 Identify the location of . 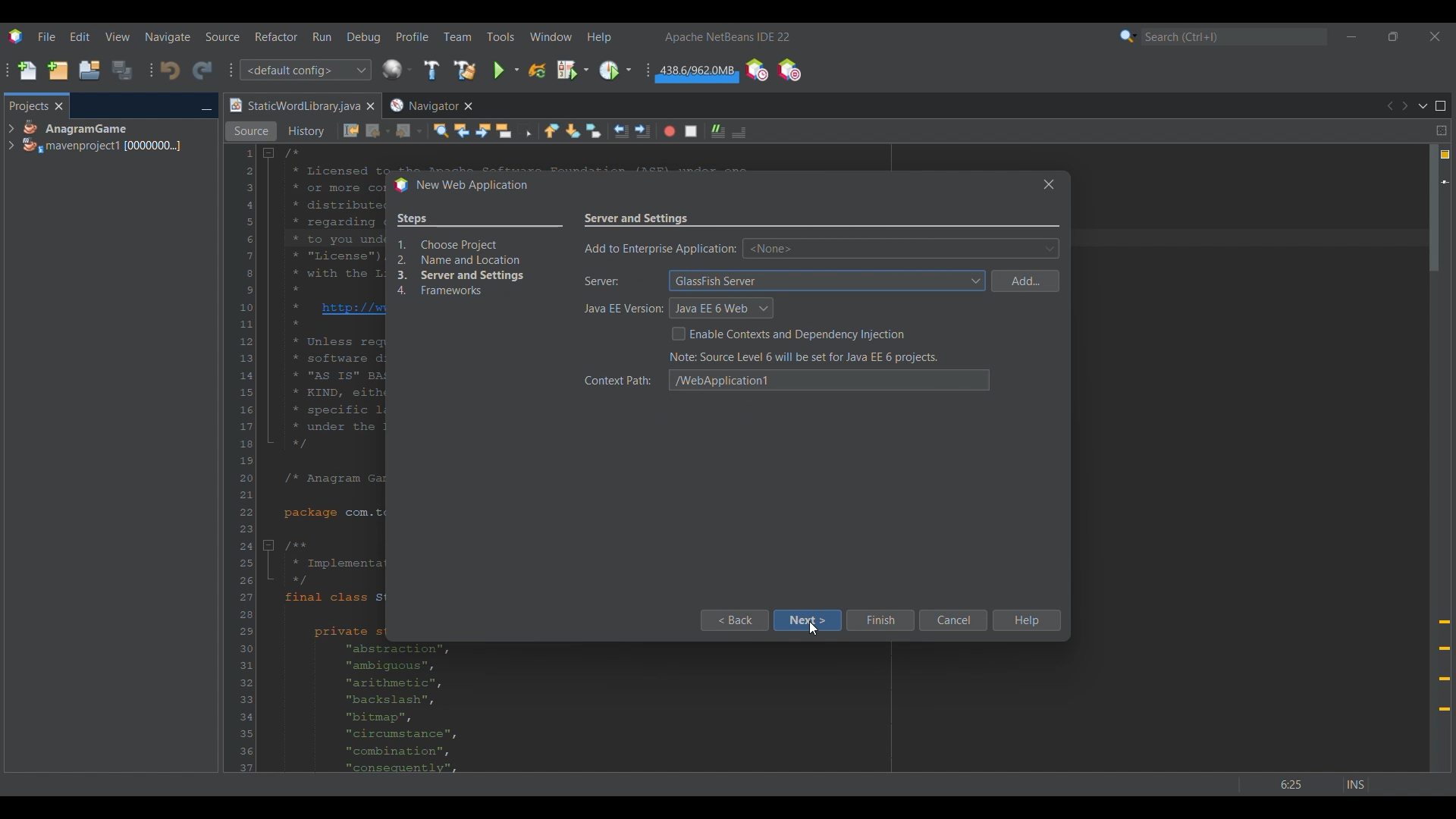
(1313, 780).